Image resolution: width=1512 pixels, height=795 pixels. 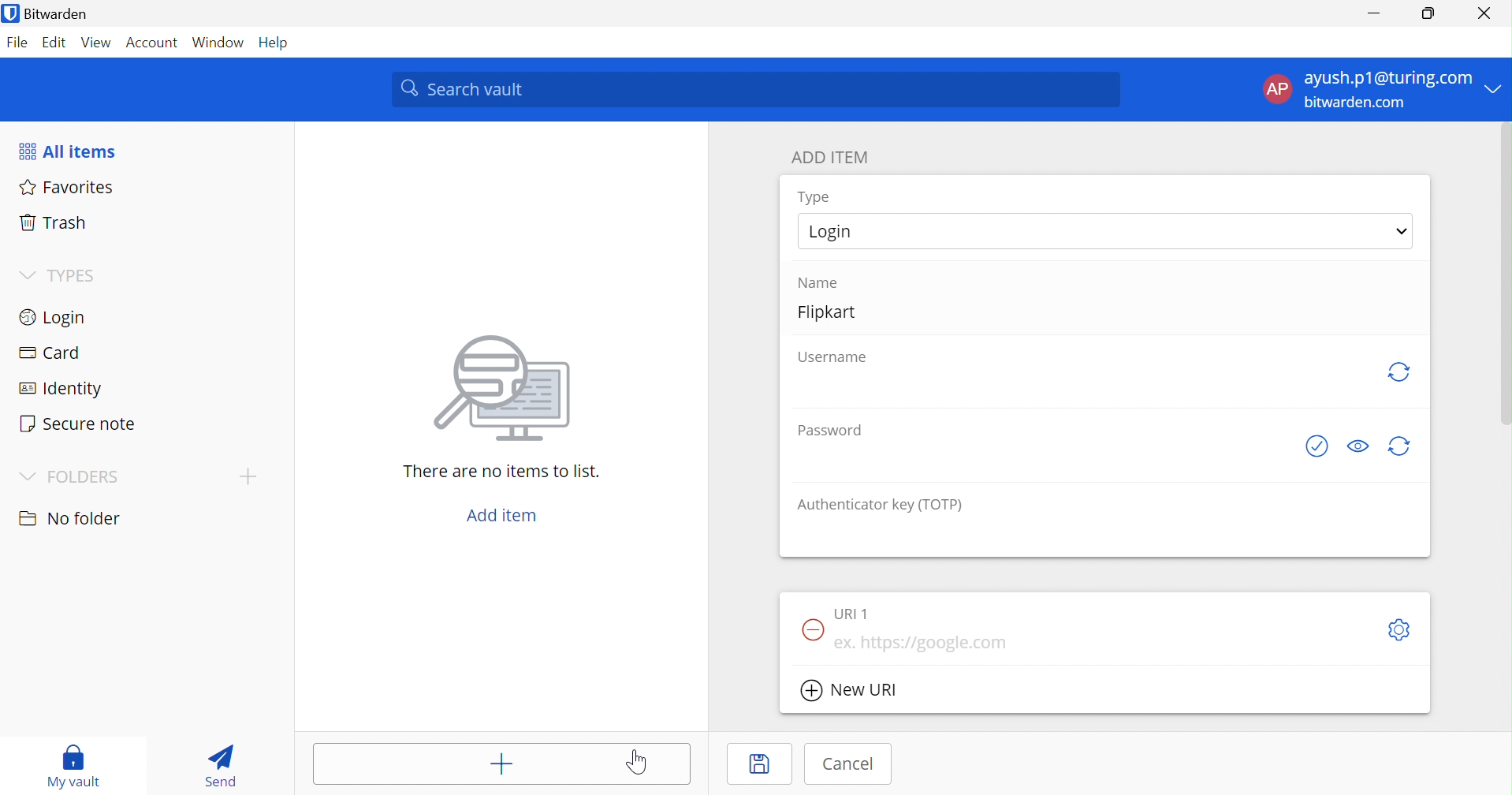 What do you see at coordinates (1361, 444) in the screenshot?
I see `Toggle Visibility` at bounding box center [1361, 444].